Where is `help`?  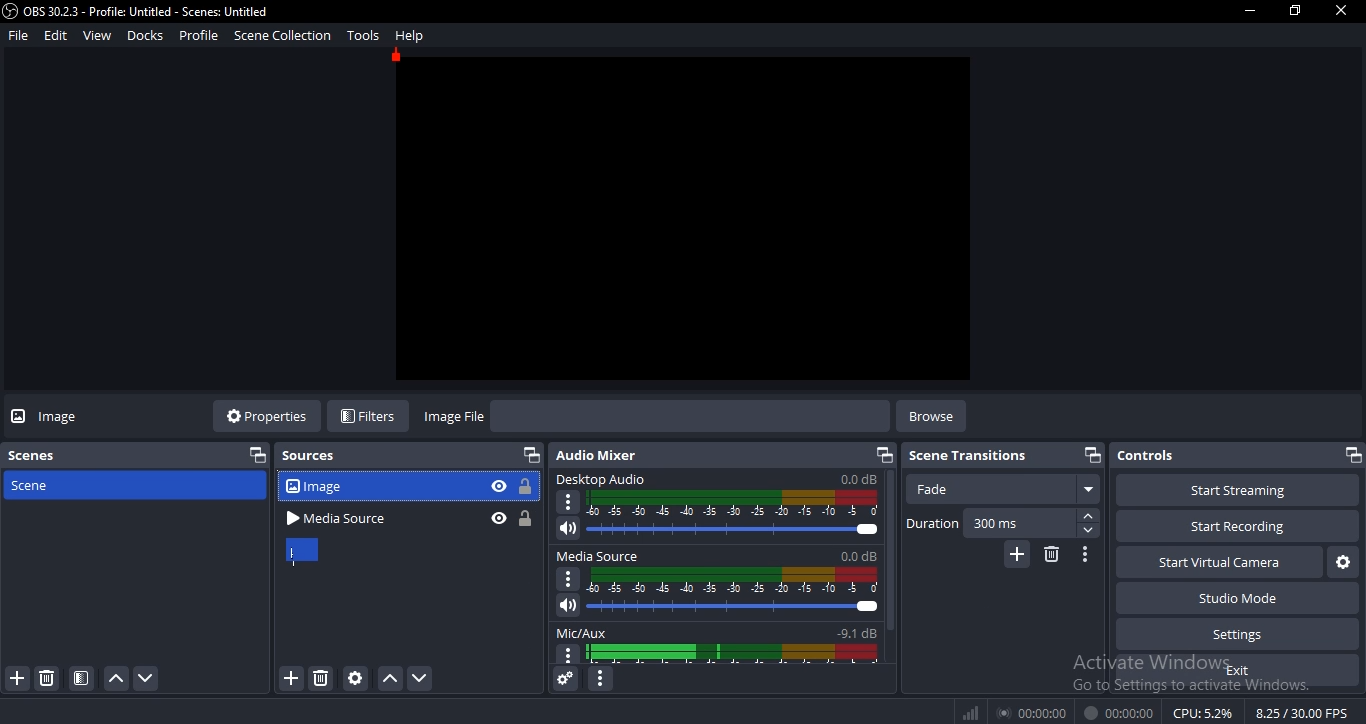
help is located at coordinates (407, 36).